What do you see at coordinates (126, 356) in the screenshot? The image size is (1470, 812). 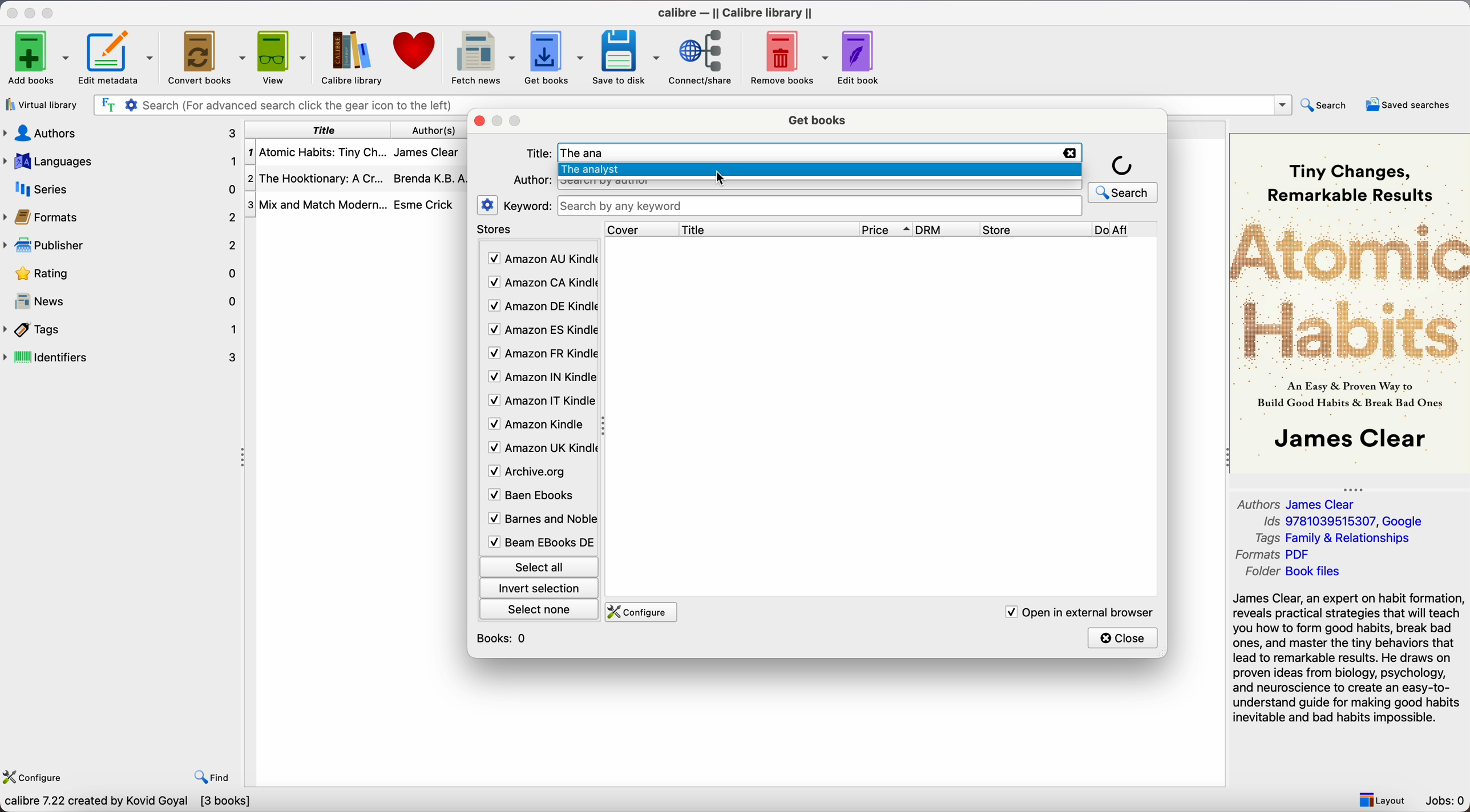 I see `identifiers` at bounding box center [126, 356].